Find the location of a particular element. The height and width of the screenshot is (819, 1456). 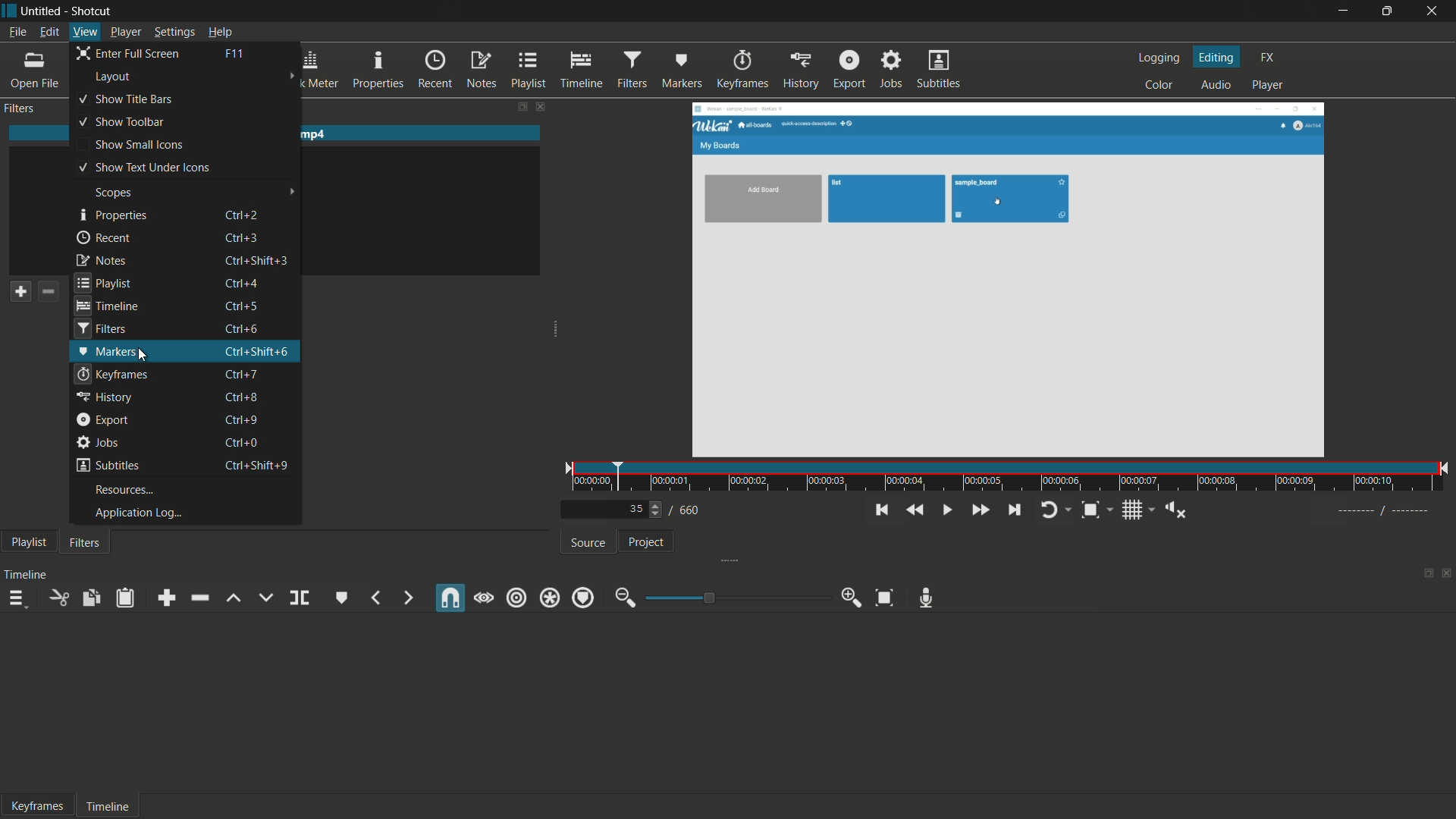

keyframes is located at coordinates (38, 805).